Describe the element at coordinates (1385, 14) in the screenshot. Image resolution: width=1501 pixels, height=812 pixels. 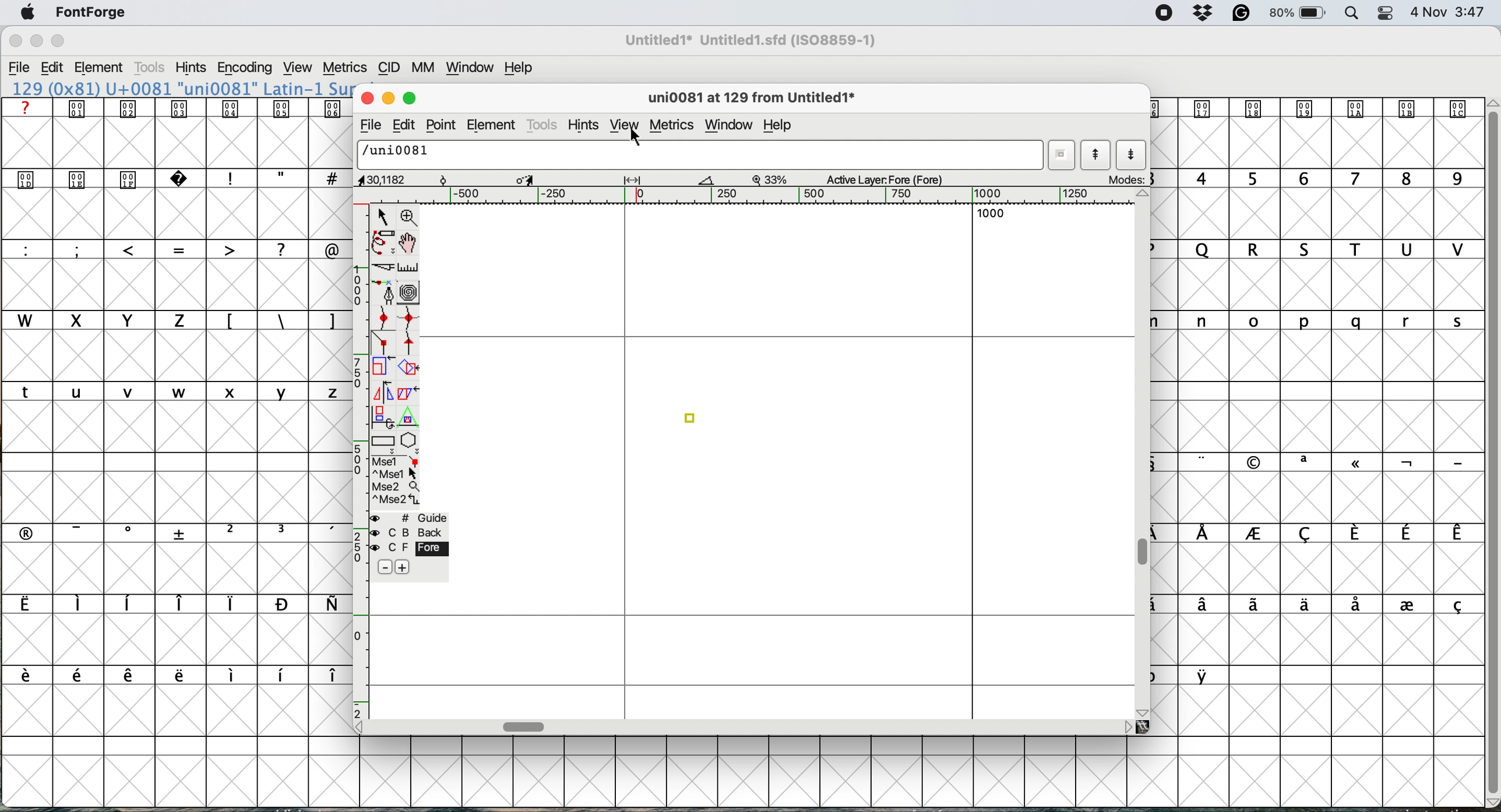
I see `Control Center` at that location.